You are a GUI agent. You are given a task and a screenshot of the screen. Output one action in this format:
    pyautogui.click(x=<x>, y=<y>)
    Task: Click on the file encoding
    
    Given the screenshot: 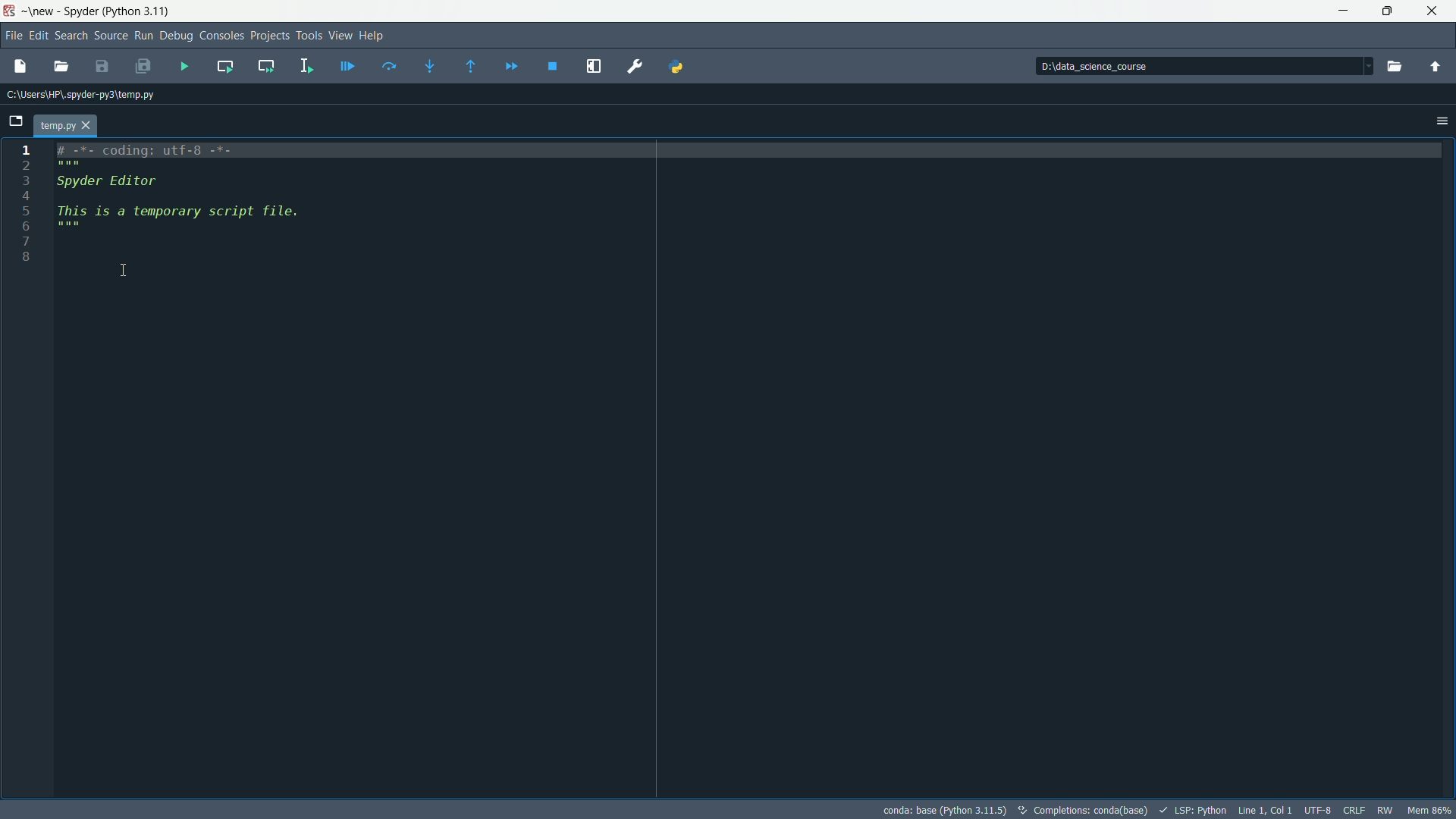 What is the action you would take?
    pyautogui.click(x=1319, y=810)
    